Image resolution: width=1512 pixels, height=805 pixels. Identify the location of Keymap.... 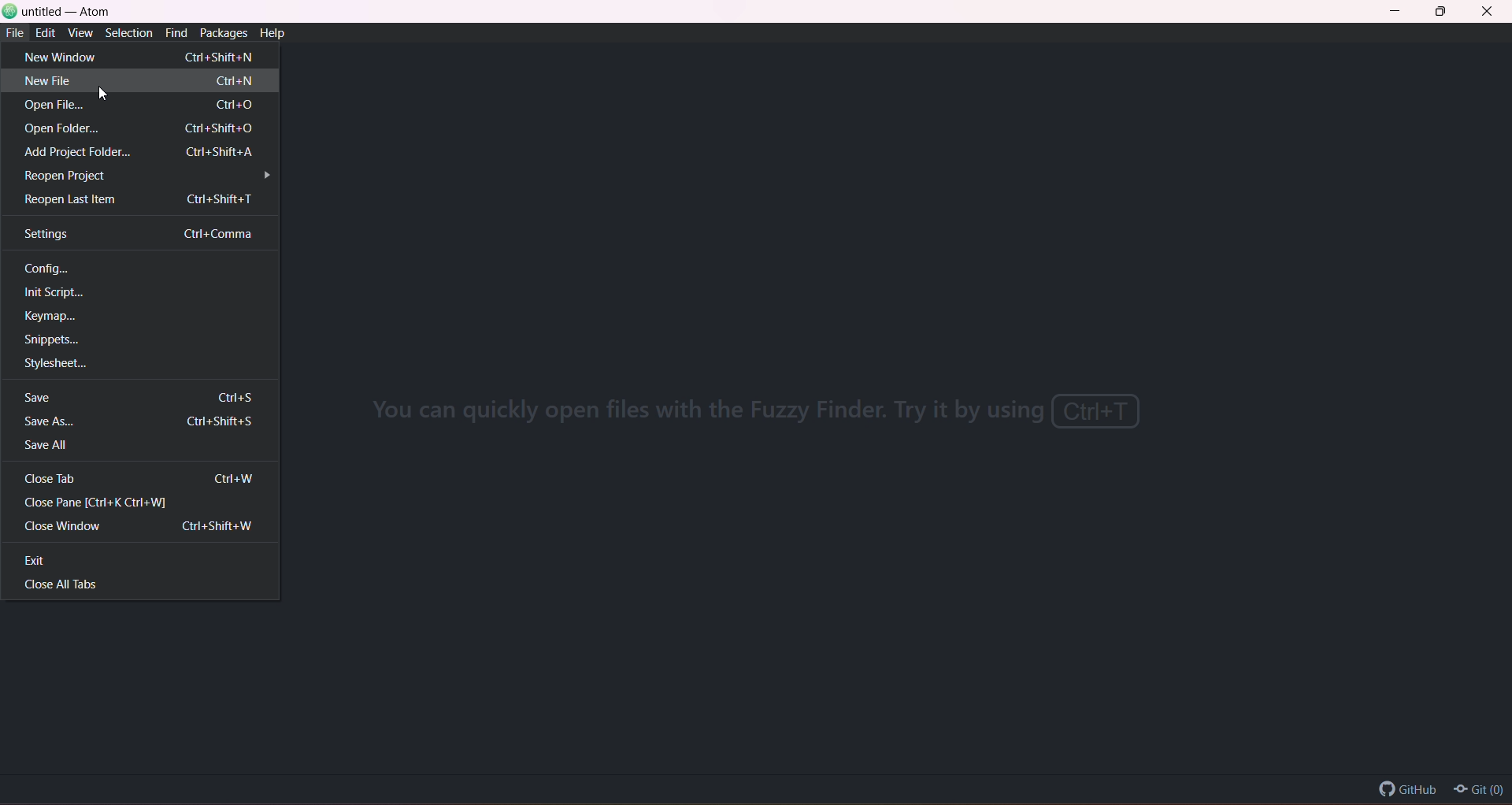
(57, 317).